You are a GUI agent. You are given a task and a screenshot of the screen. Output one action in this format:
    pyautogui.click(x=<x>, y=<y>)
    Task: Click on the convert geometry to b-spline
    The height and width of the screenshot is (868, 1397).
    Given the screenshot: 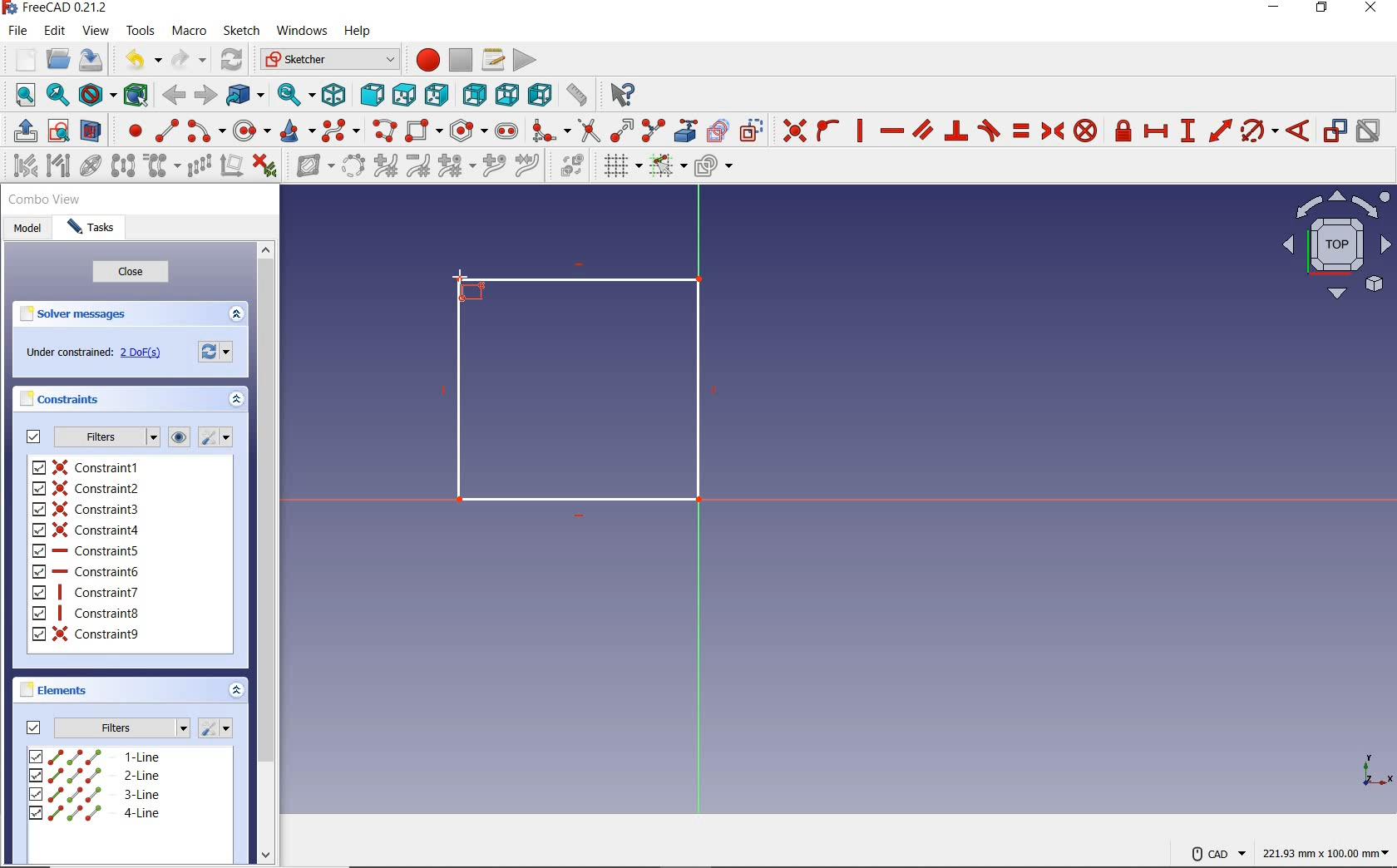 What is the action you would take?
    pyautogui.click(x=353, y=165)
    